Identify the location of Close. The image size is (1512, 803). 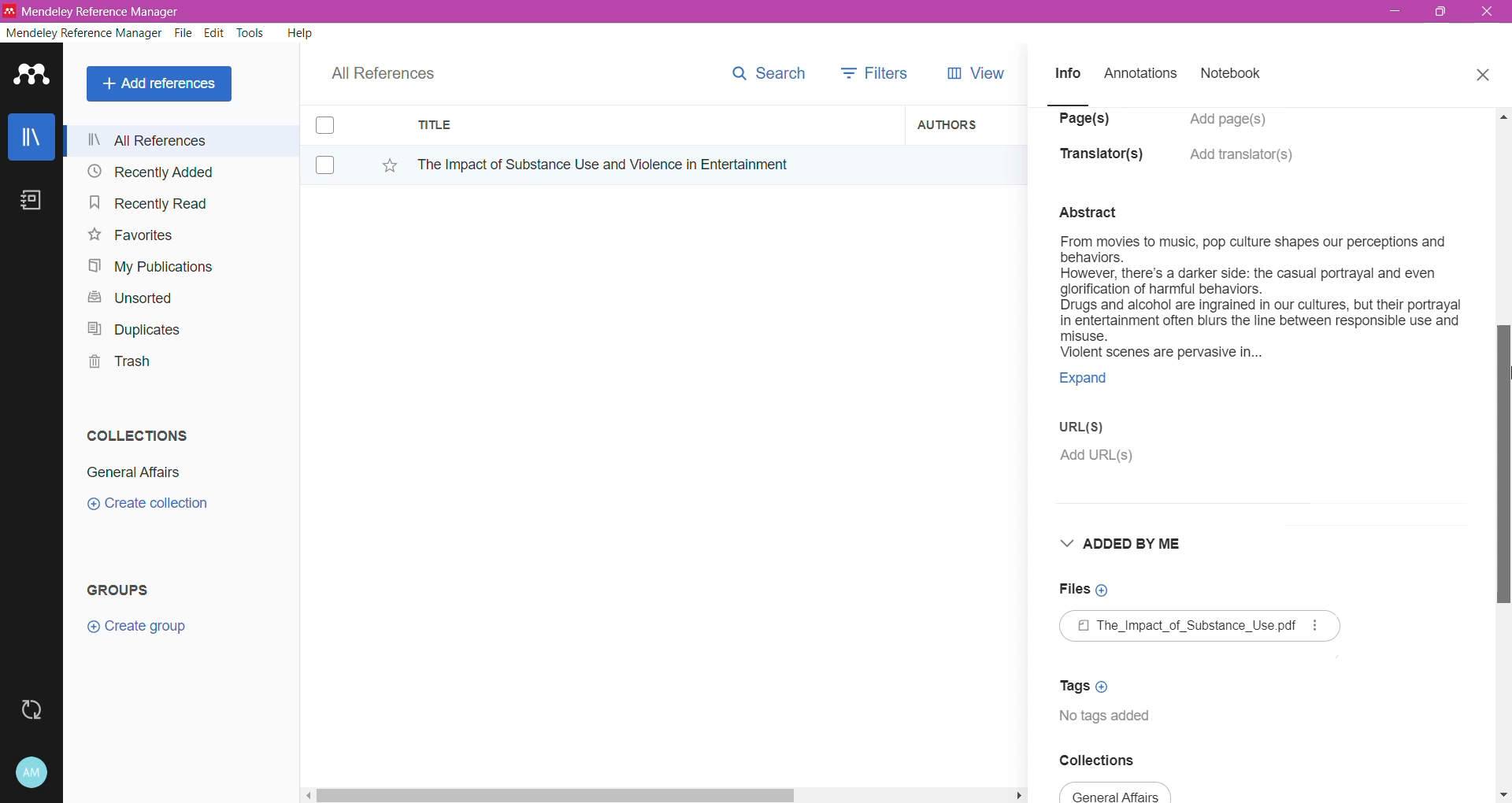
(1488, 13).